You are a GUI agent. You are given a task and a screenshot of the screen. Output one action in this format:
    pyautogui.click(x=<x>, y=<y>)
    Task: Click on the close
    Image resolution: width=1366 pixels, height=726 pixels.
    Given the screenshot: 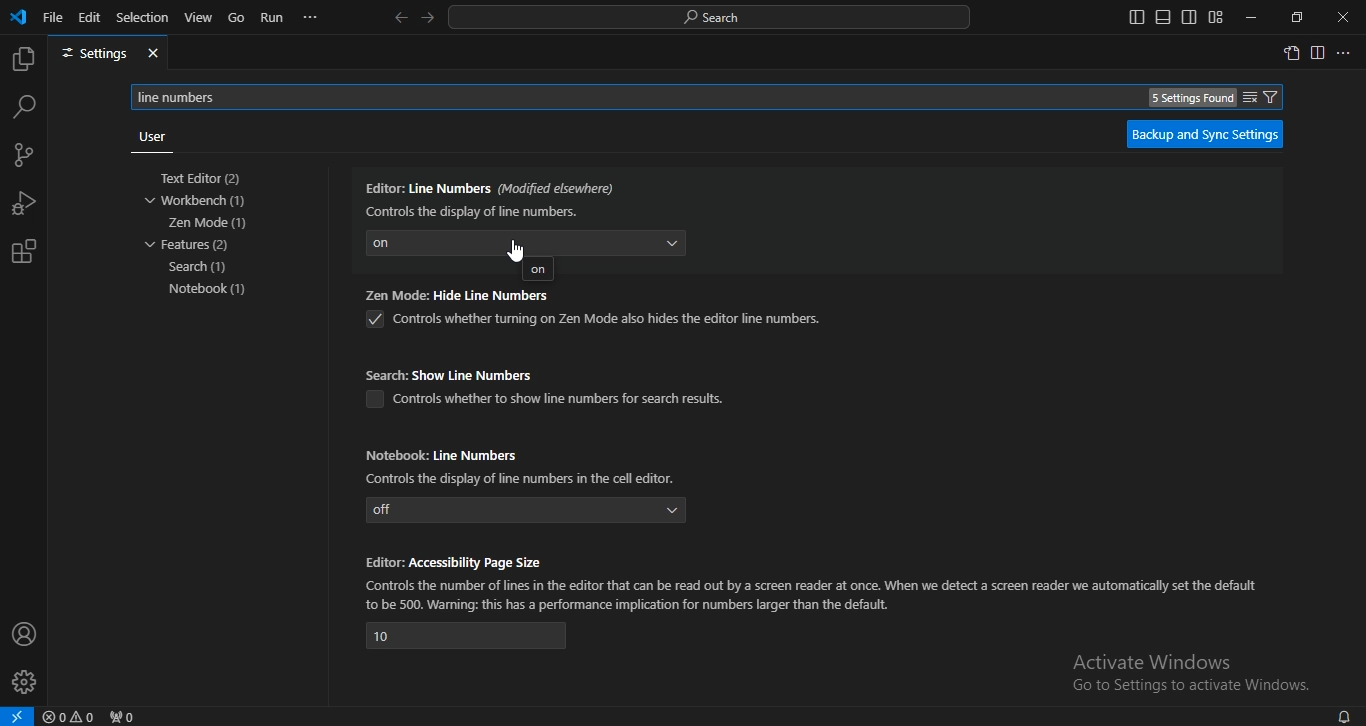 What is the action you would take?
    pyautogui.click(x=1344, y=18)
    